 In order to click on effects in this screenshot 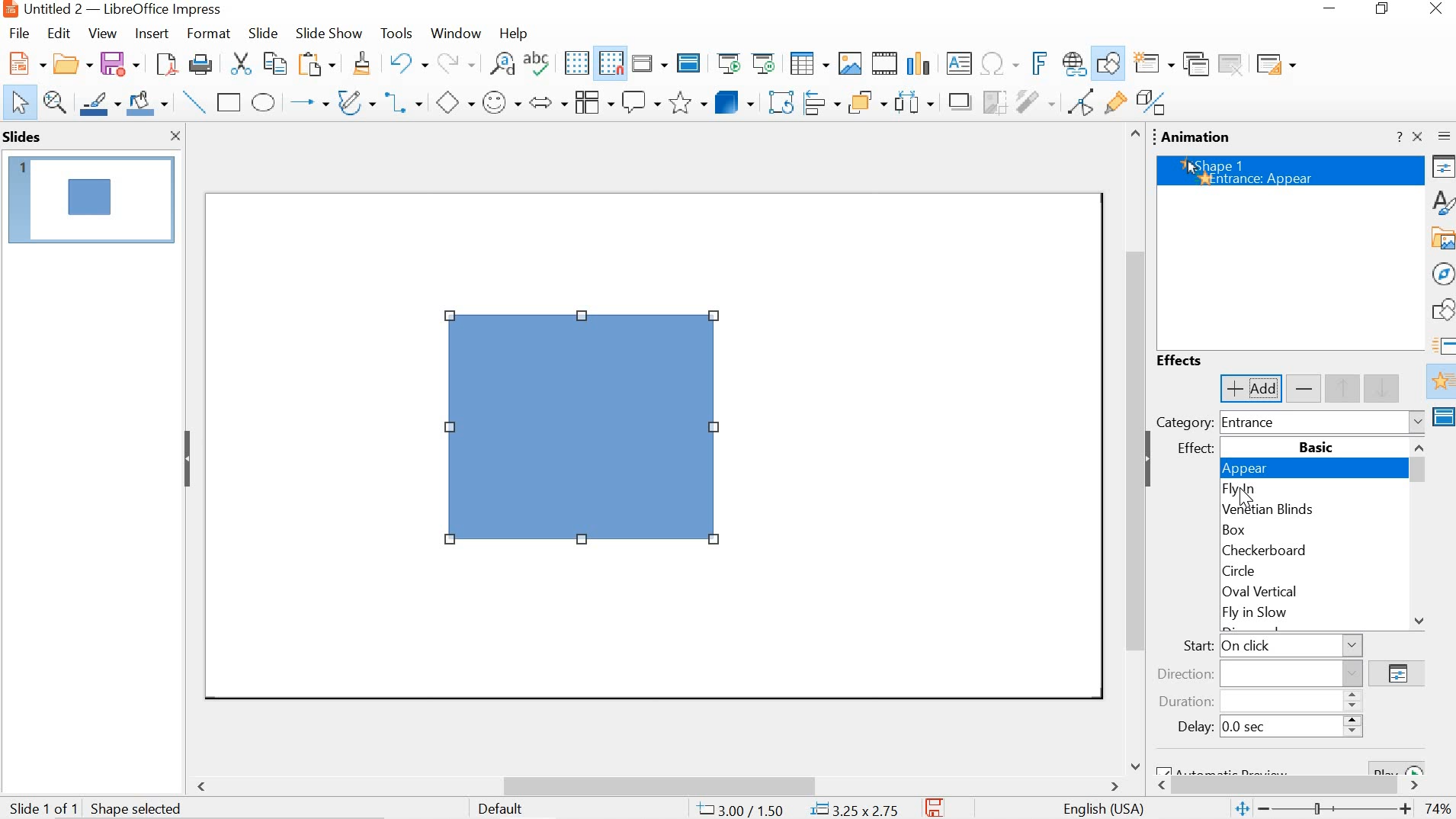, I will do `click(1184, 359)`.